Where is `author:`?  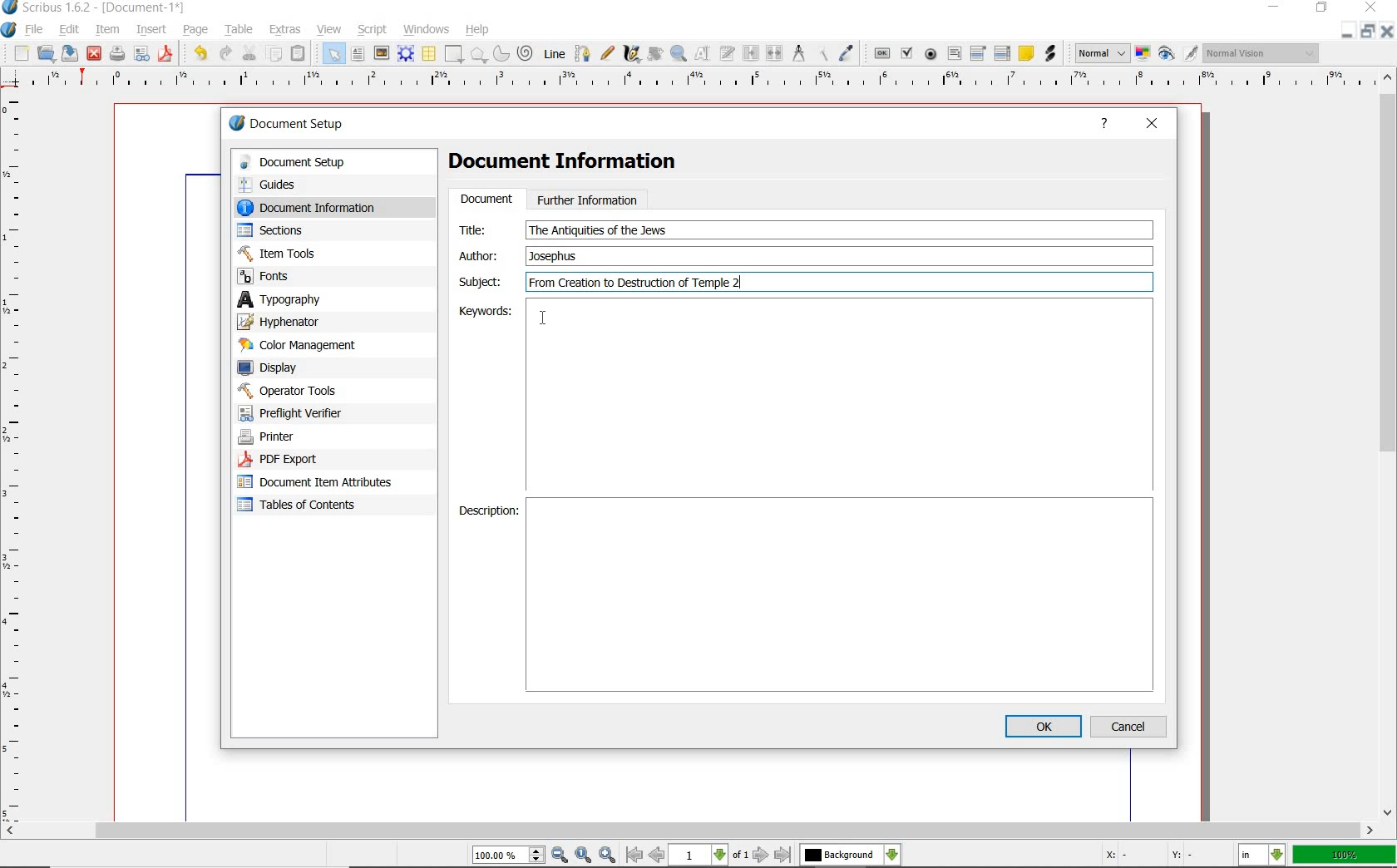
author: is located at coordinates (481, 255).